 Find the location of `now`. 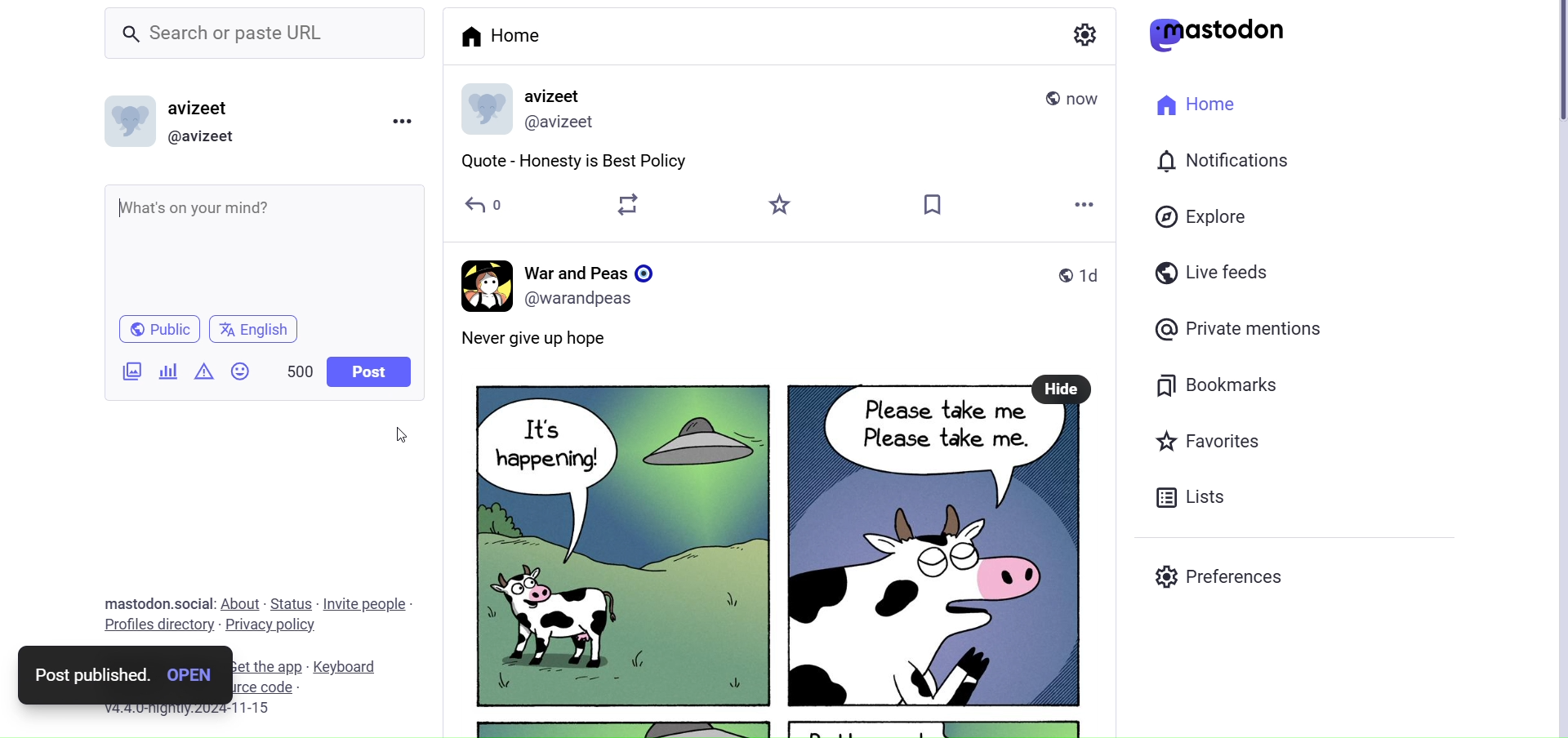

now is located at coordinates (1094, 96).